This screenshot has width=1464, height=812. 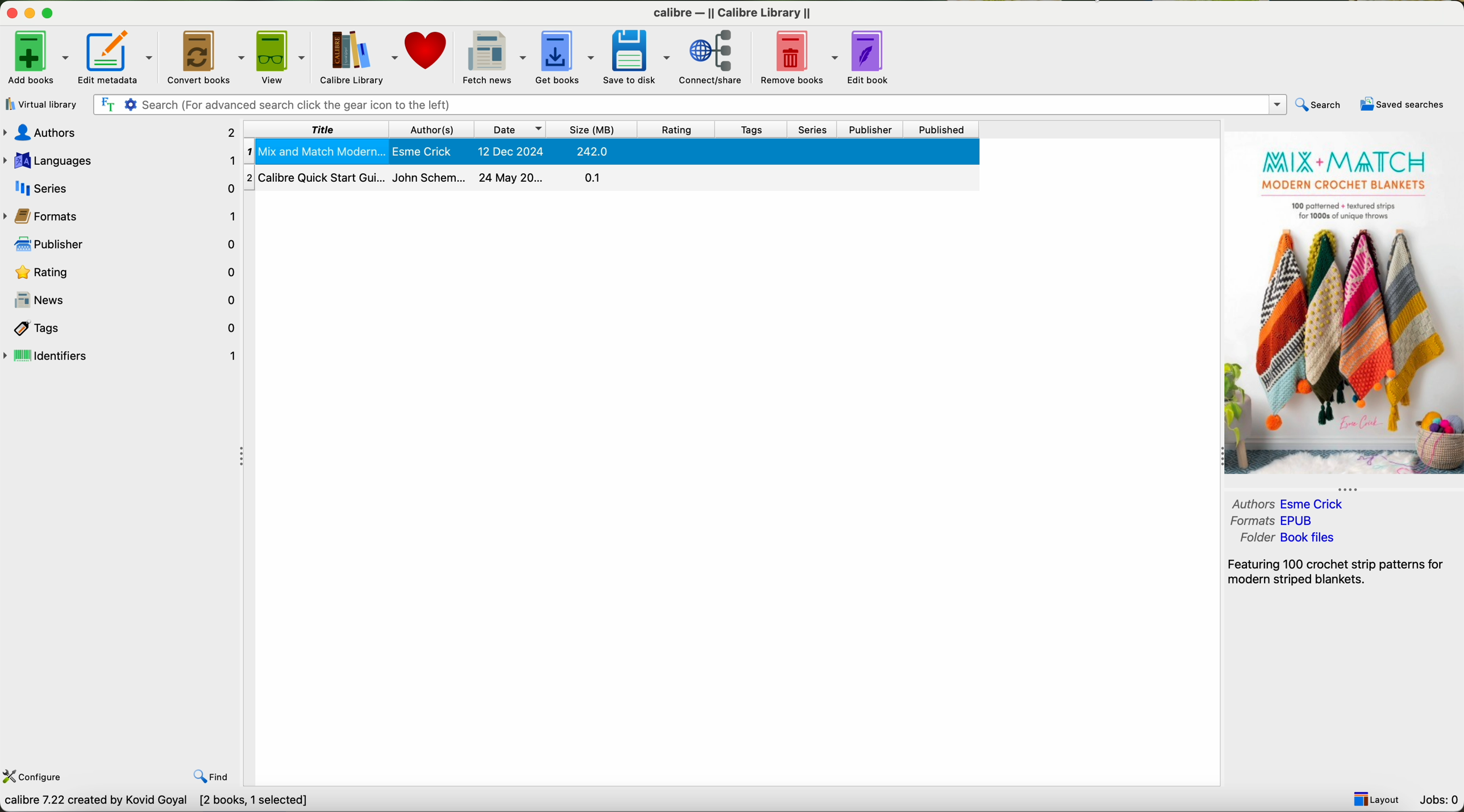 What do you see at coordinates (121, 217) in the screenshot?
I see `formats` at bounding box center [121, 217].